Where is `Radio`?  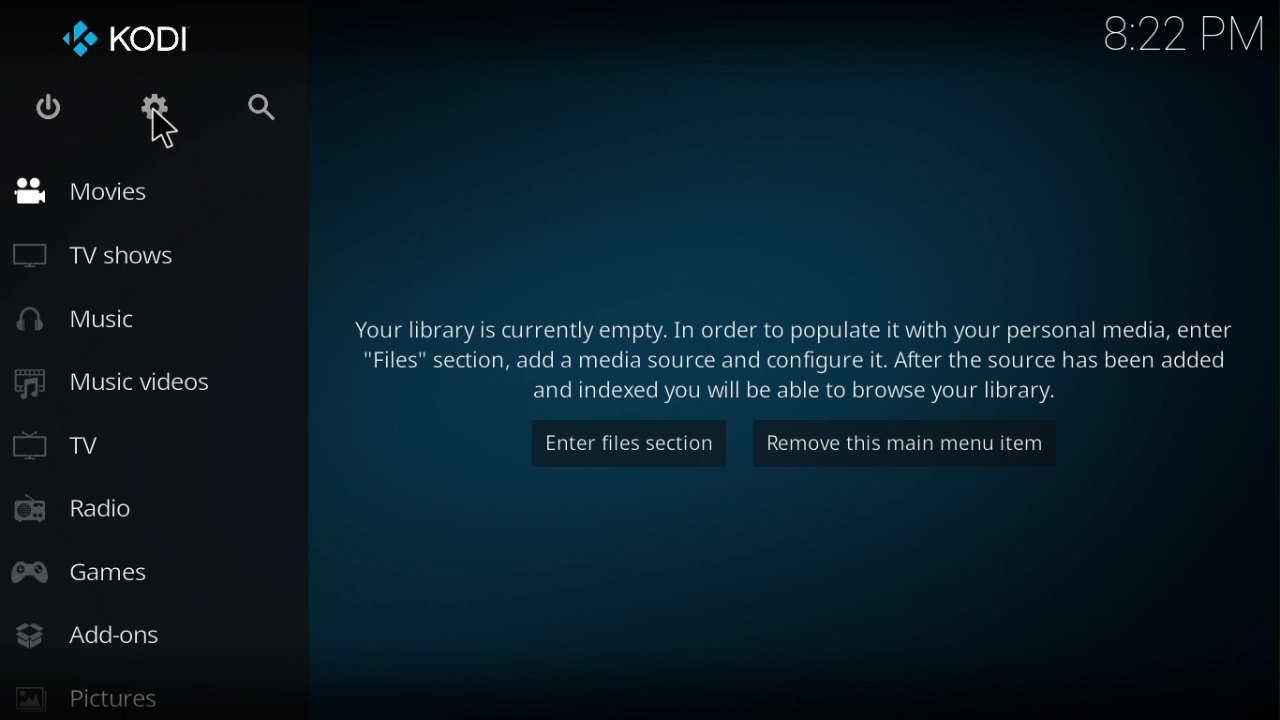
Radio is located at coordinates (93, 505).